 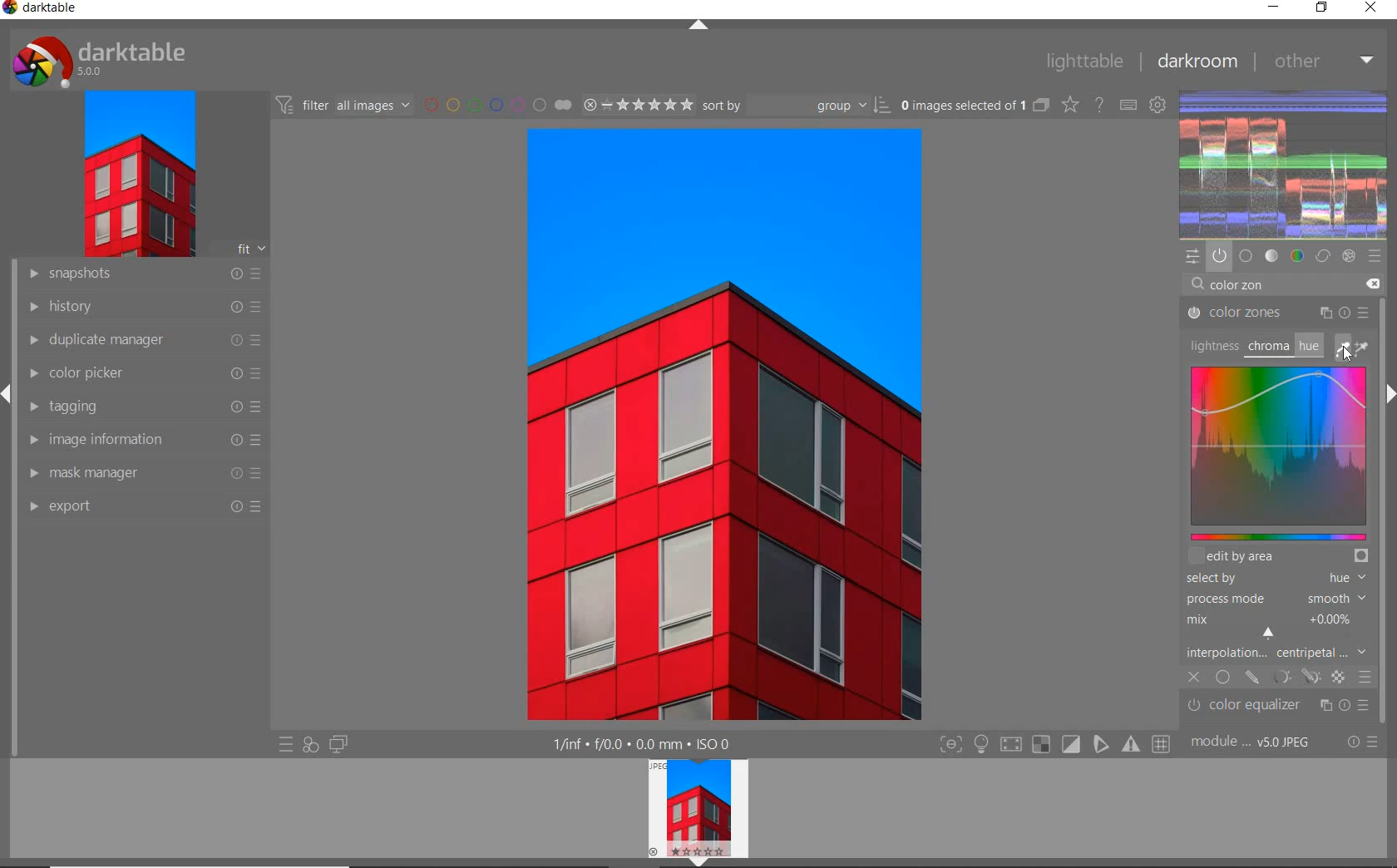 I want to click on close, so click(x=1371, y=8).